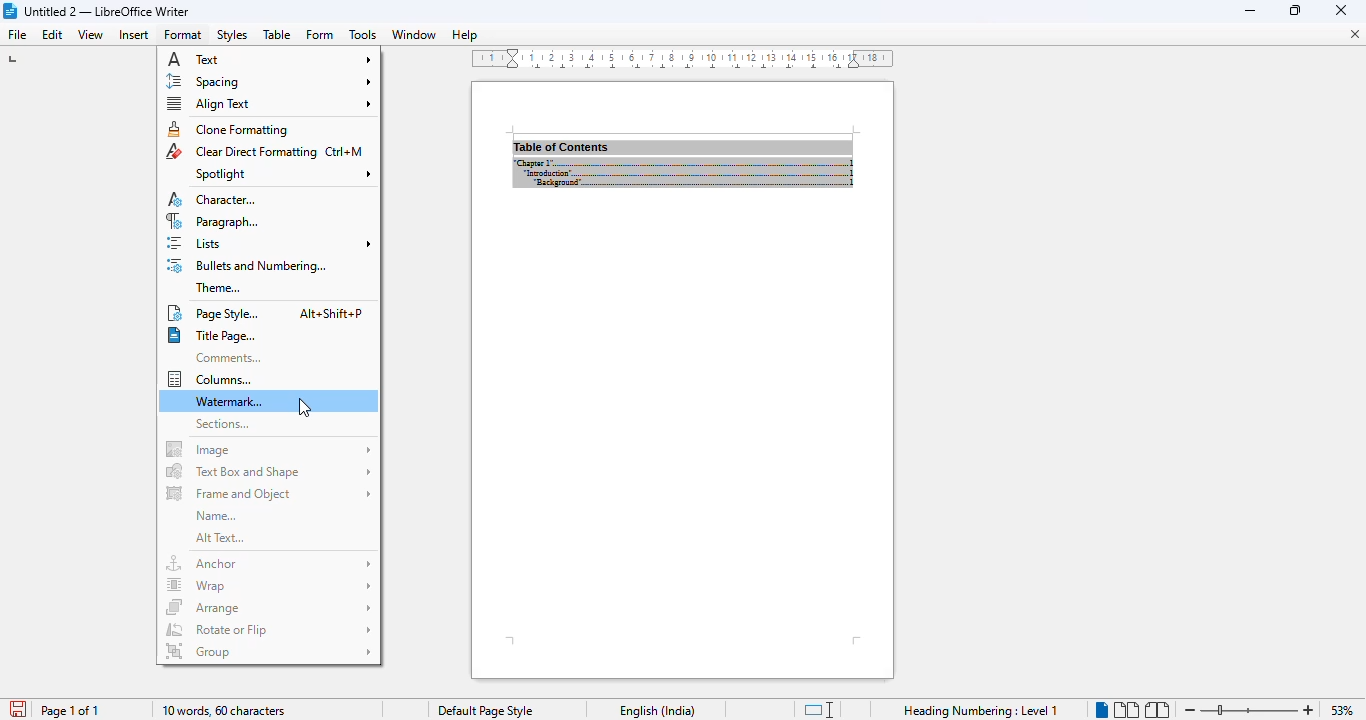  What do you see at coordinates (224, 711) in the screenshot?
I see `10 words, 60 characters` at bounding box center [224, 711].